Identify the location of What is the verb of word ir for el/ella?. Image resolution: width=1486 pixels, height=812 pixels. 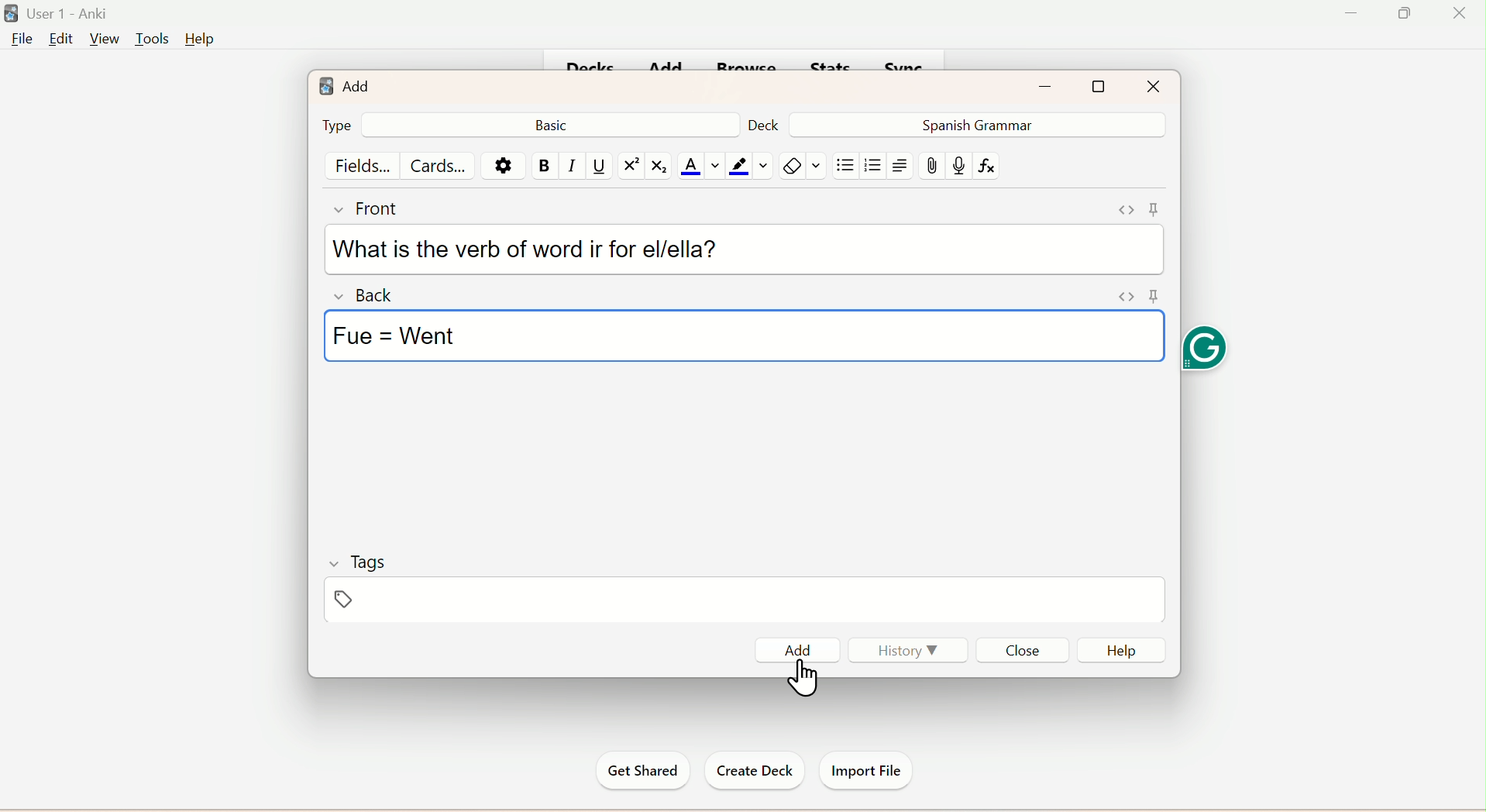
(530, 252).